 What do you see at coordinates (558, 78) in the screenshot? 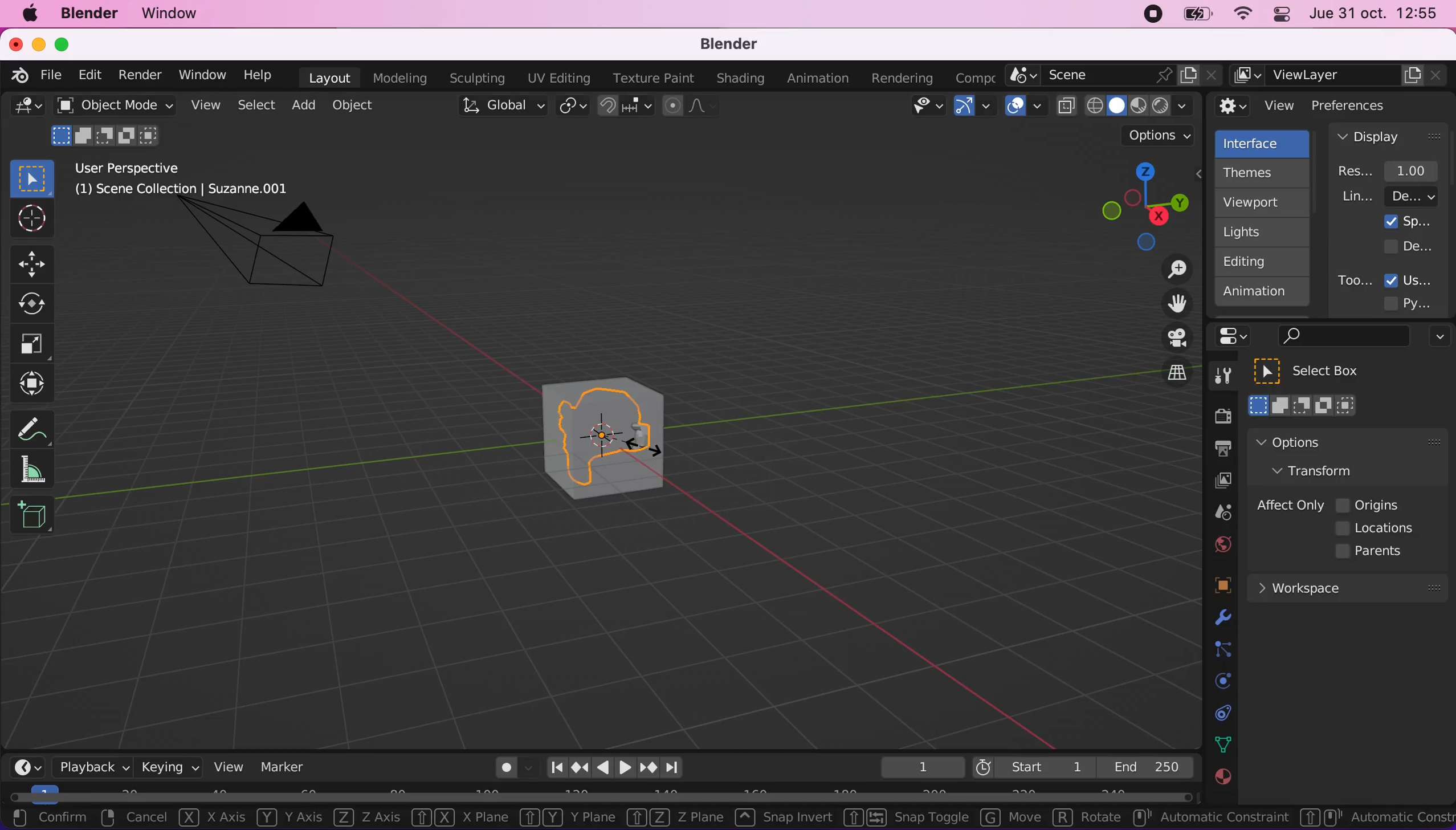
I see `uv editing` at bounding box center [558, 78].